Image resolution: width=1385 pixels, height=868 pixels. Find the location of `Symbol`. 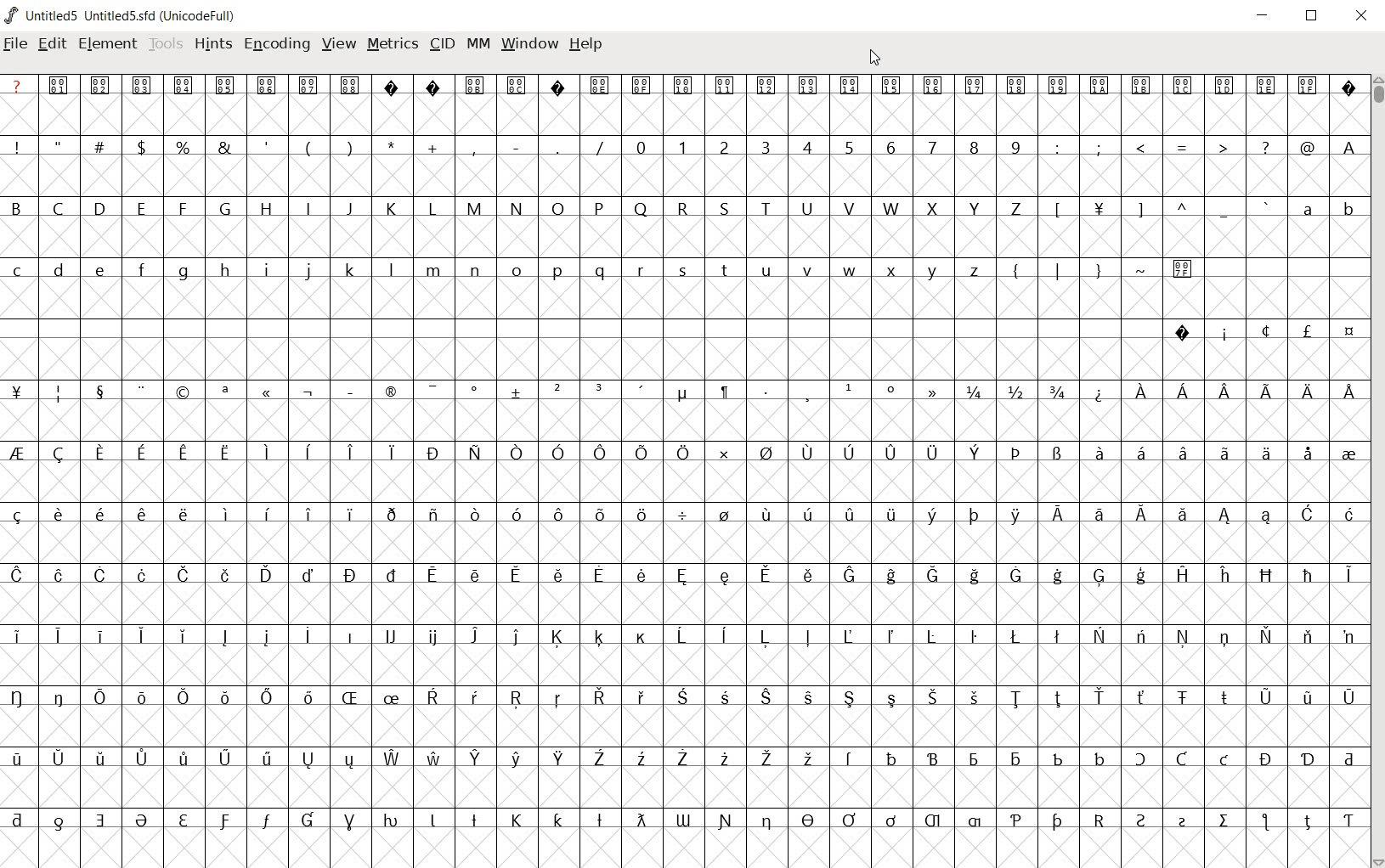

Symbol is located at coordinates (1267, 635).